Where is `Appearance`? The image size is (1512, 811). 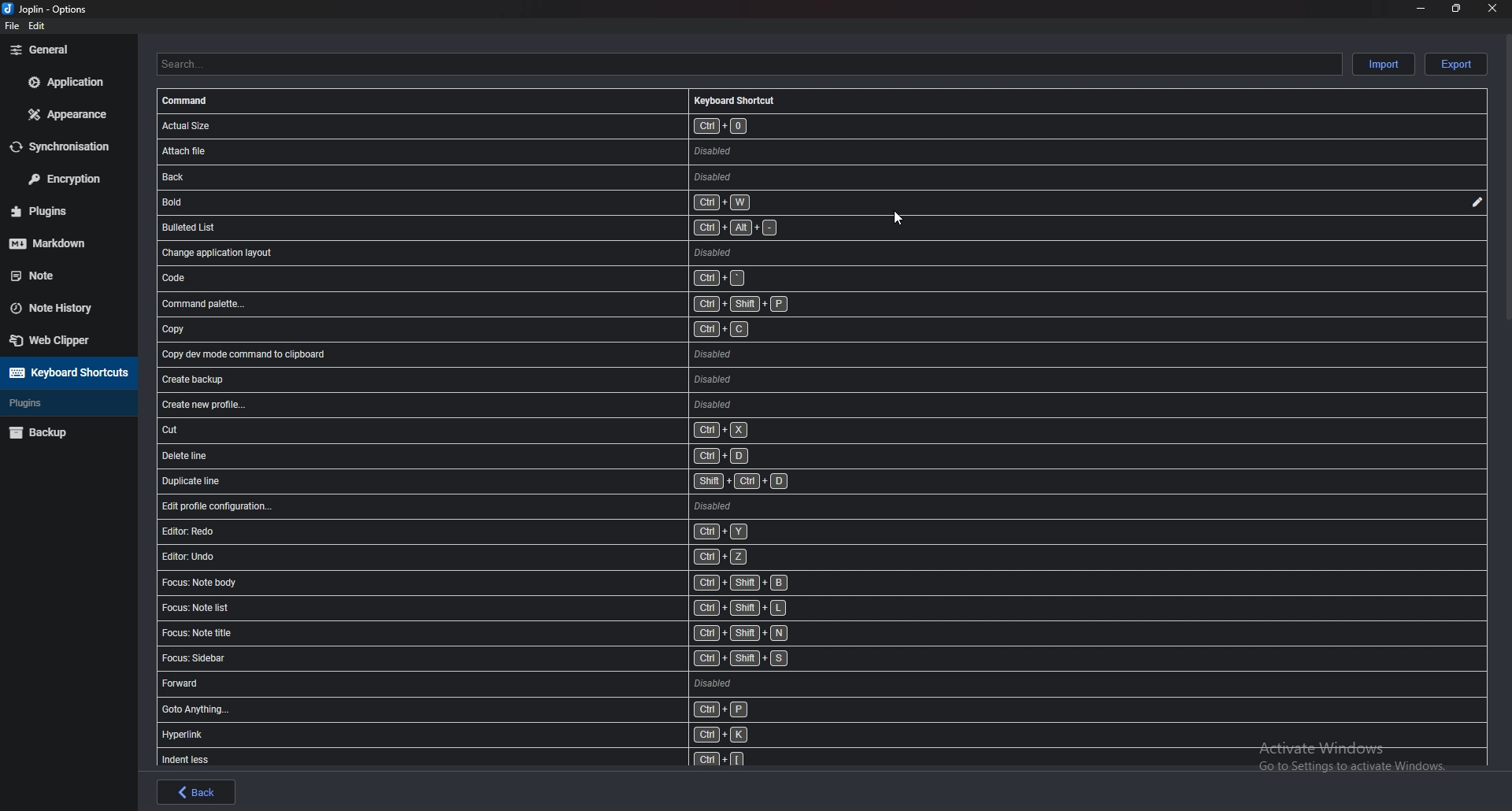 Appearance is located at coordinates (65, 114).